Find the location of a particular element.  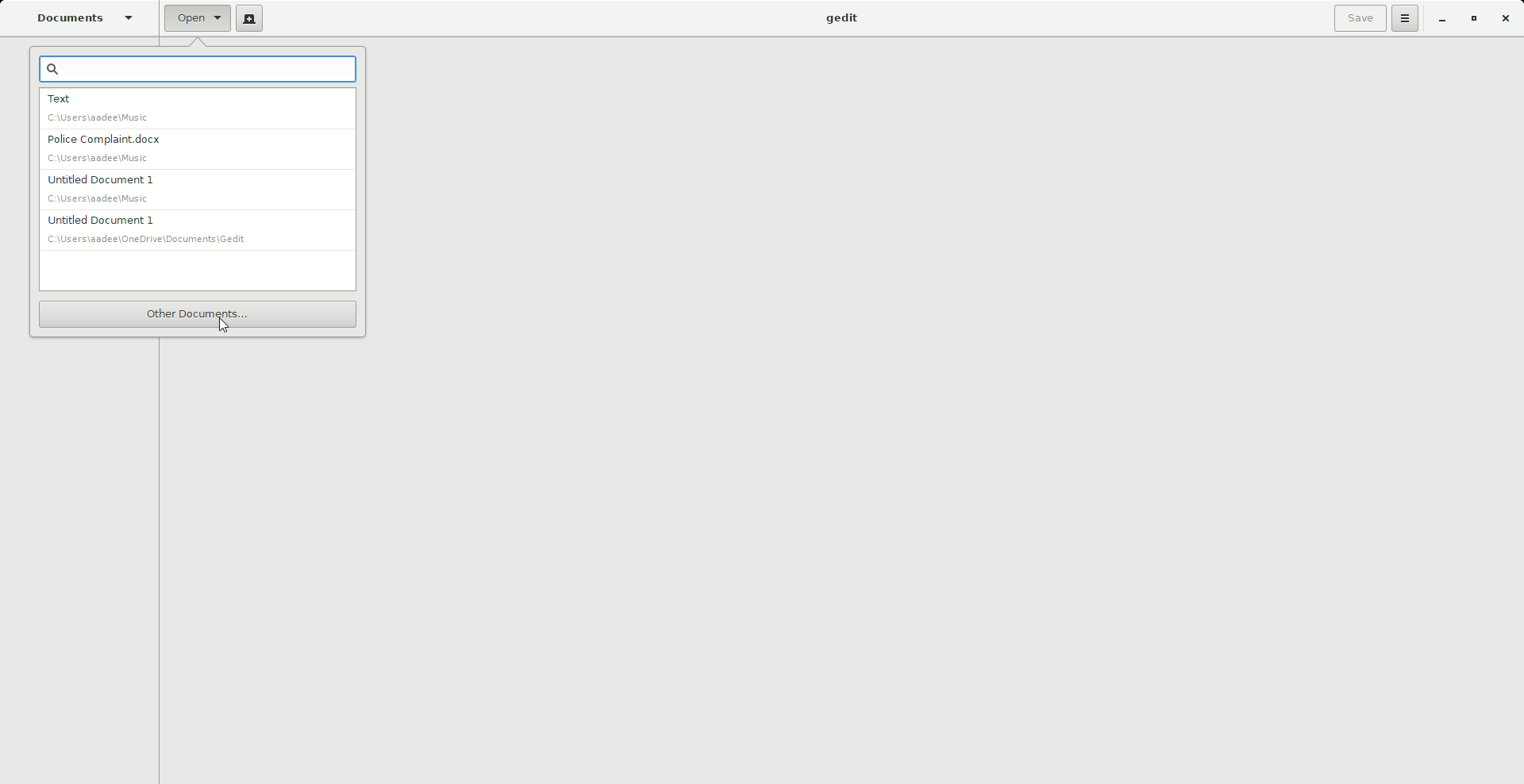

Options is located at coordinates (1410, 18).